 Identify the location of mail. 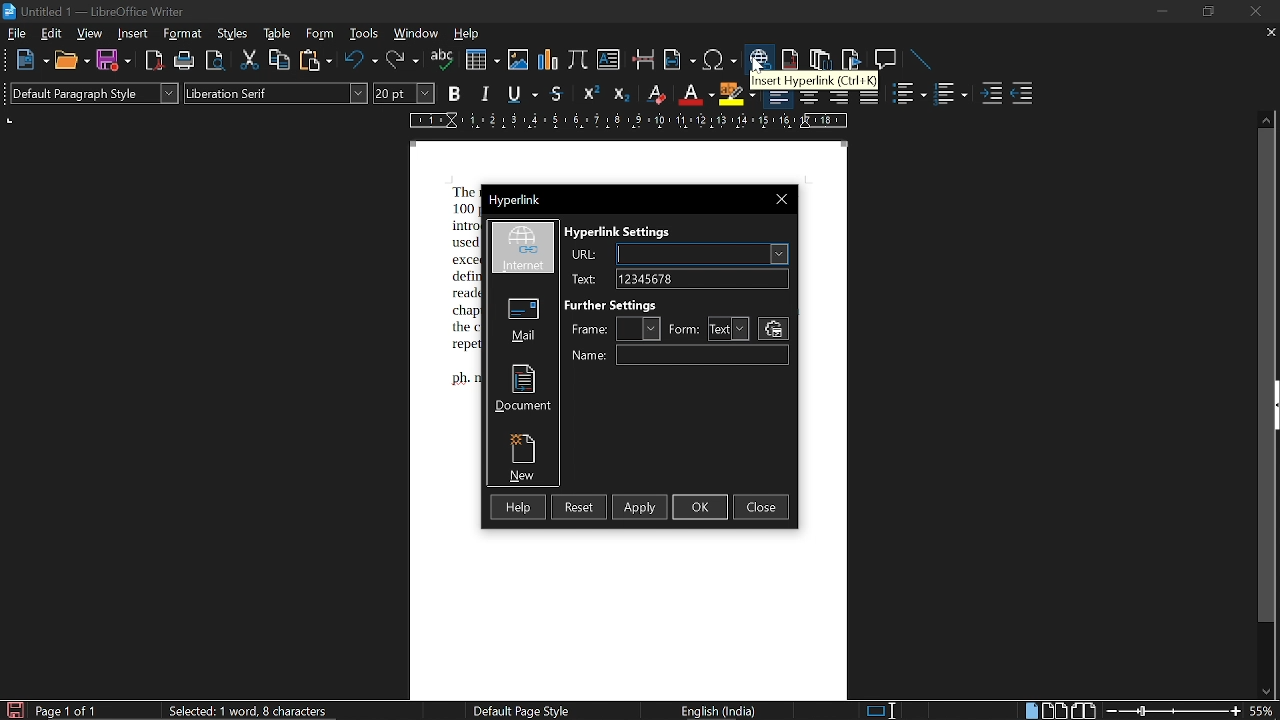
(523, 317).